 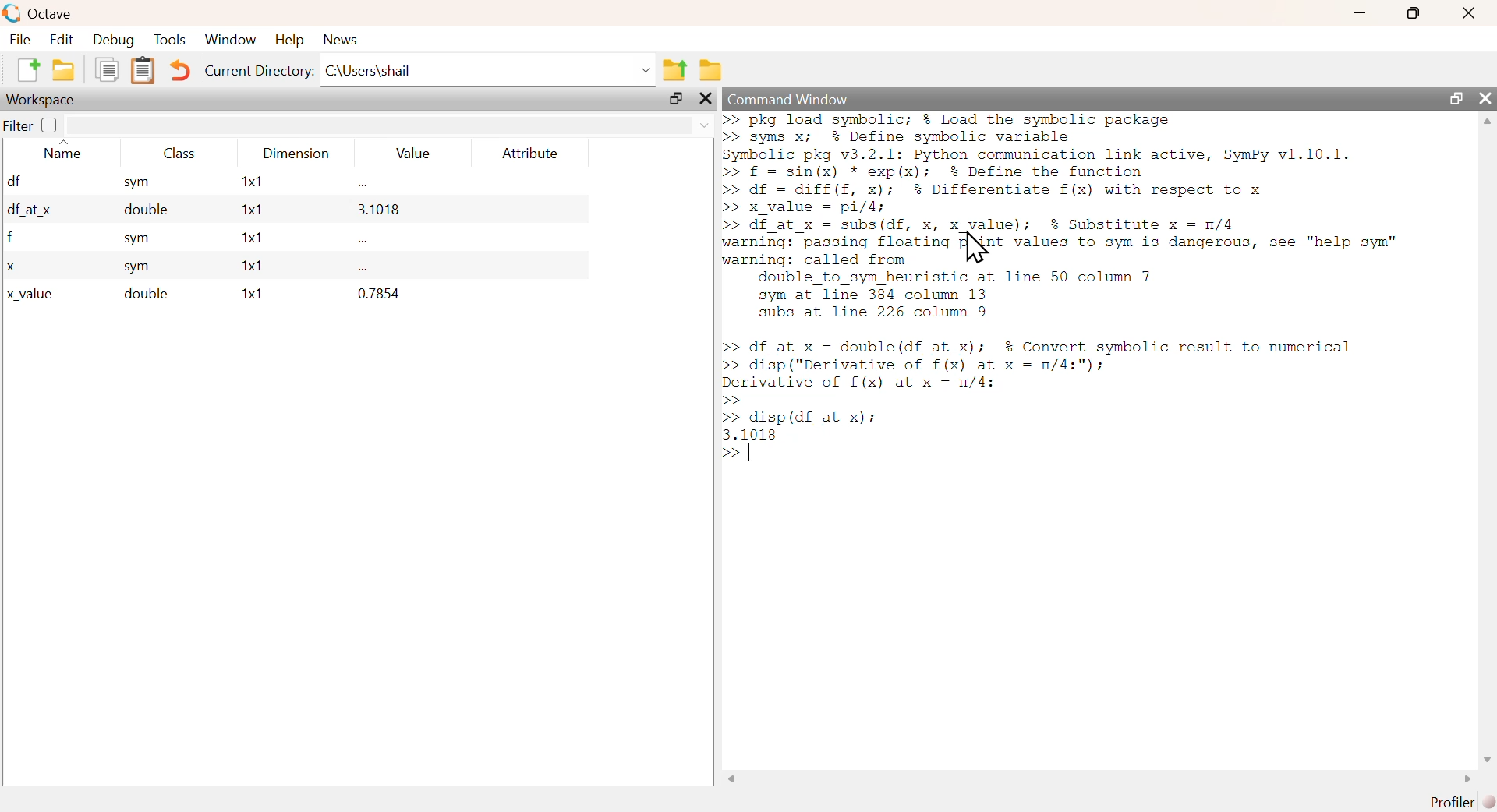 What do you see at coordinates (30, 212) in the screenshot?
I see `df_at x` at bounding box center [30, 212].